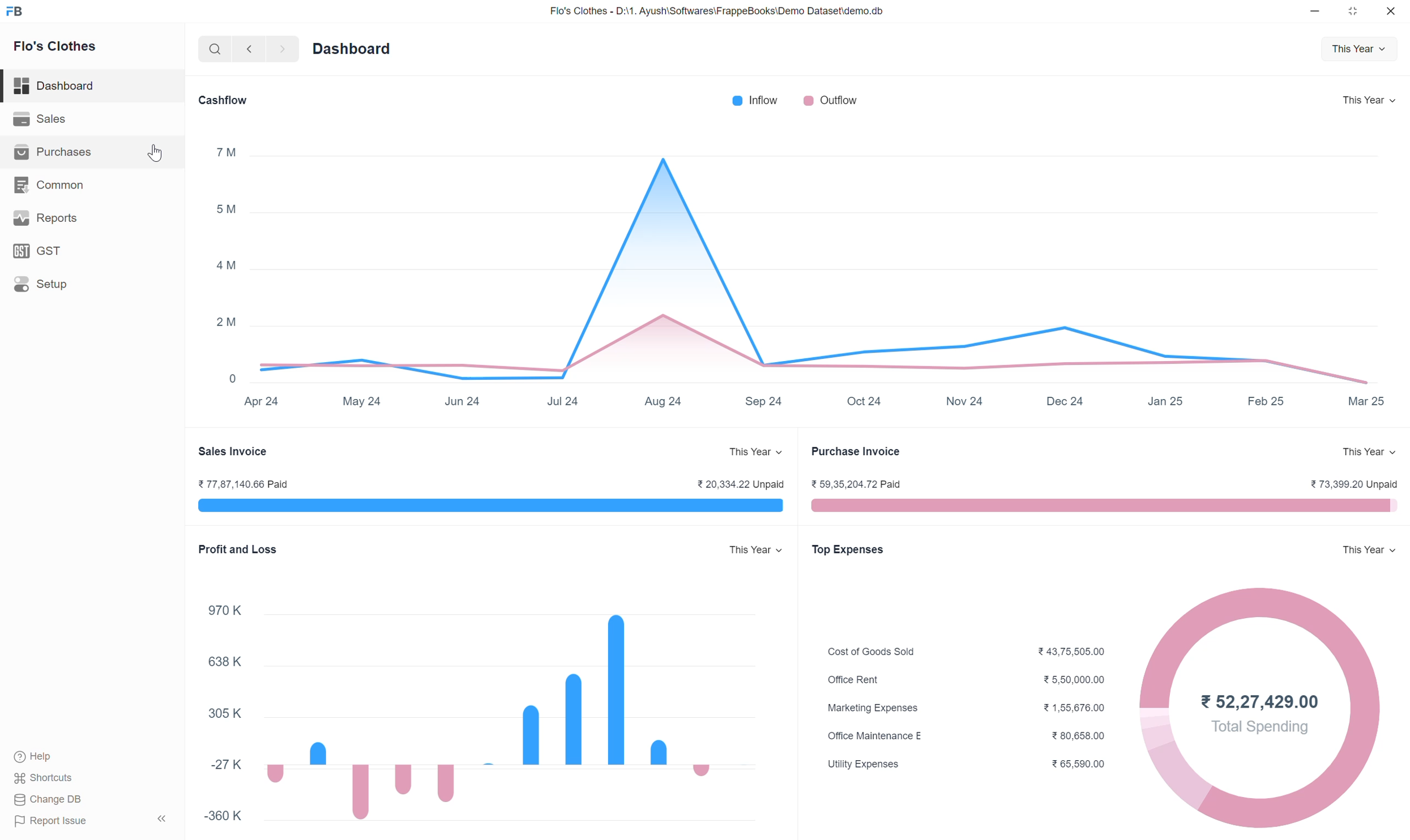  What do you see at coordinates (160, 817) in the screenshot?
I see `hide` at bounding box center [160, 817].